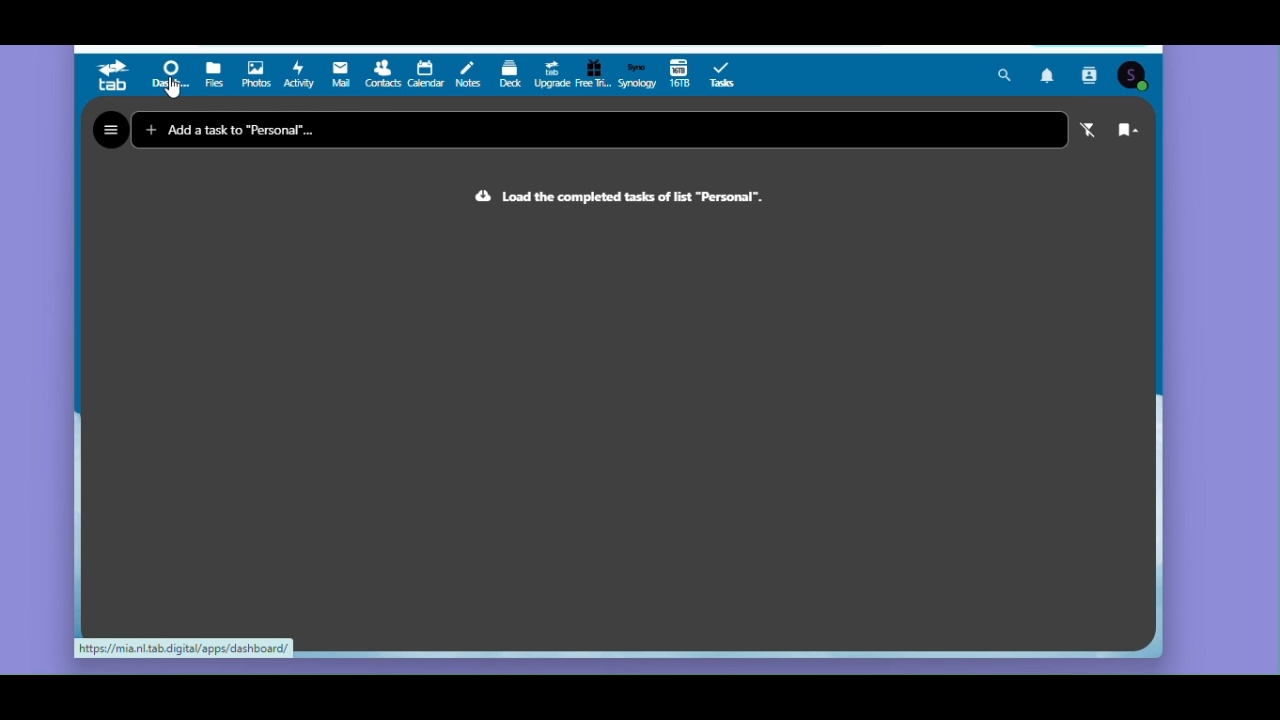 The width and height of the screenshot is (1280, 720). I want to click on 16 T B, so click(680, 75).